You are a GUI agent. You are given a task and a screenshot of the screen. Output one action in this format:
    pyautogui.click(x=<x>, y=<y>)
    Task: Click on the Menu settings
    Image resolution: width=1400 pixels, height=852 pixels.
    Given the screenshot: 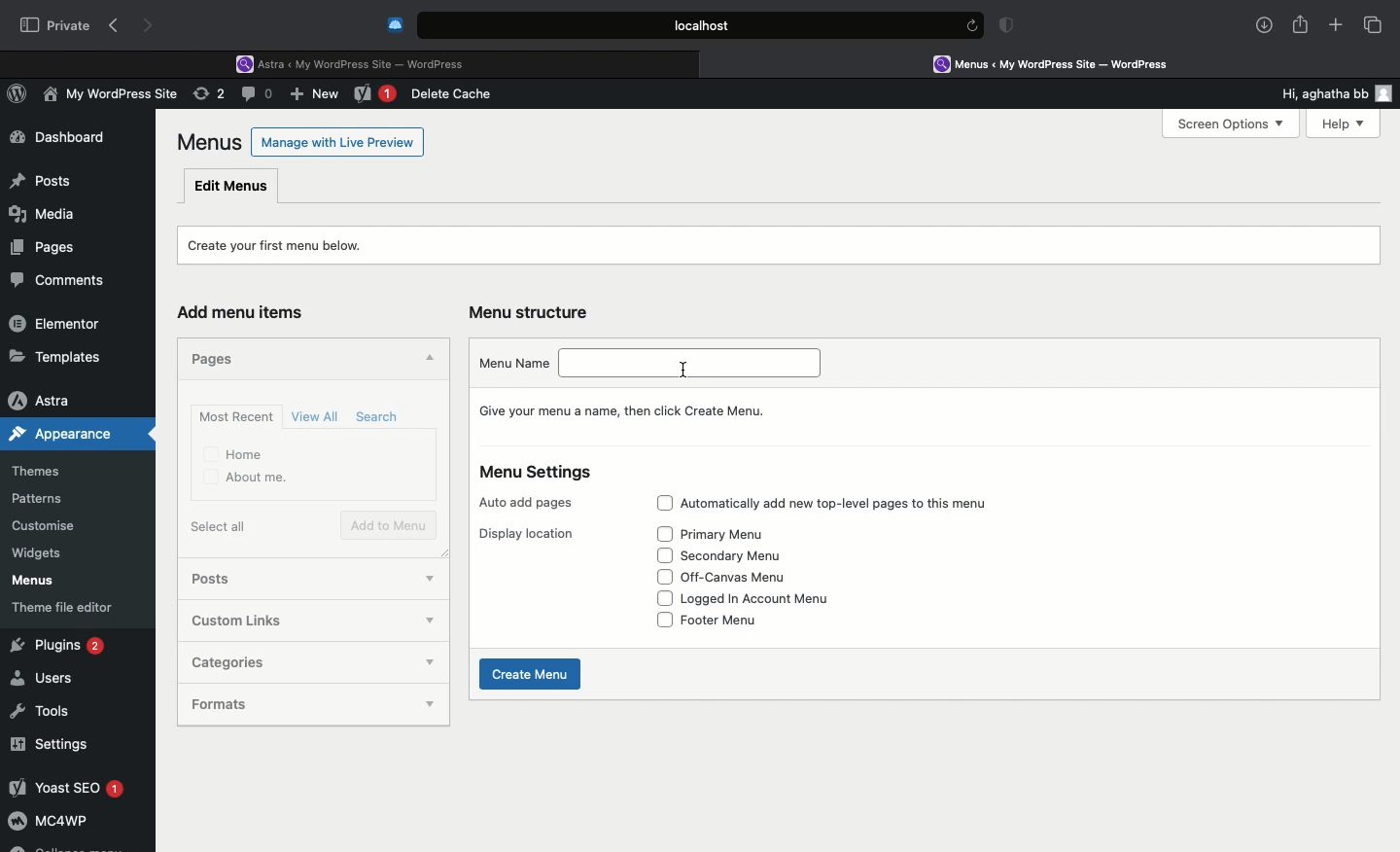 What is the action you would take?
    pyautogui.click(x=539, y=473)
    